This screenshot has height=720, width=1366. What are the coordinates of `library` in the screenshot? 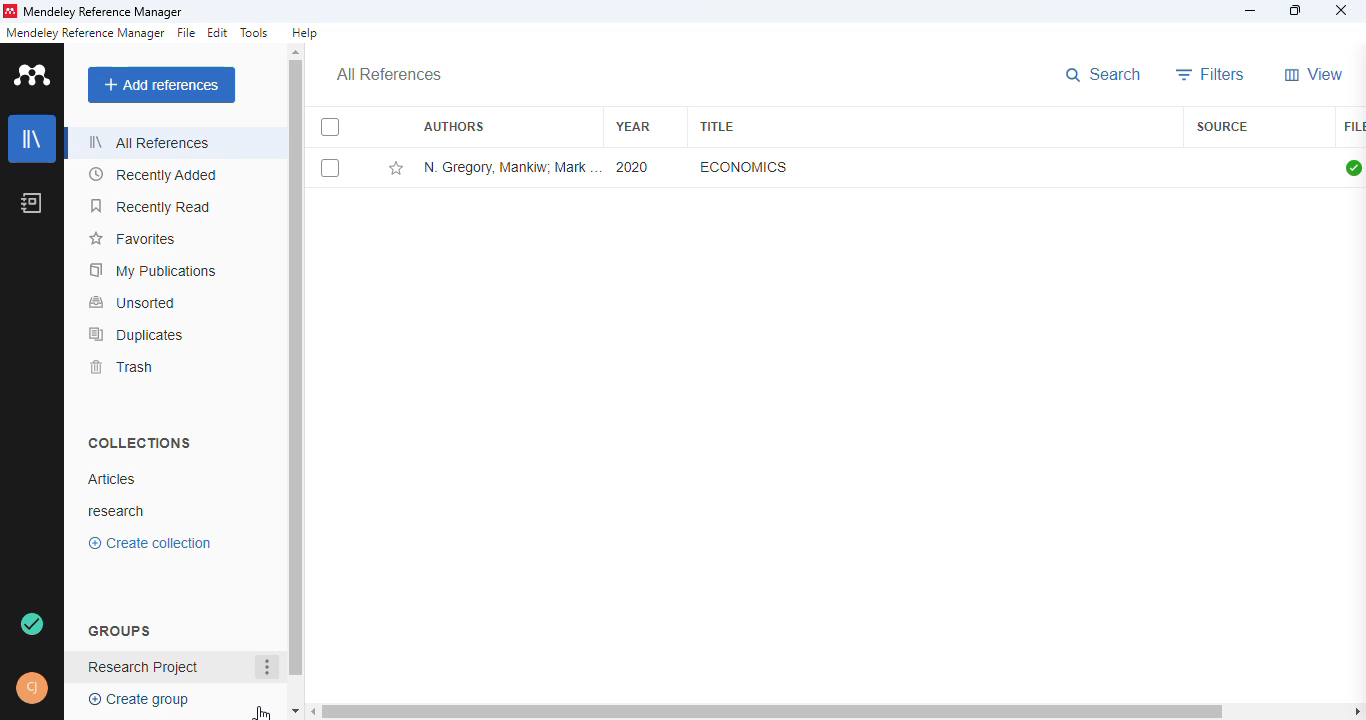 It's located at (32, 138).